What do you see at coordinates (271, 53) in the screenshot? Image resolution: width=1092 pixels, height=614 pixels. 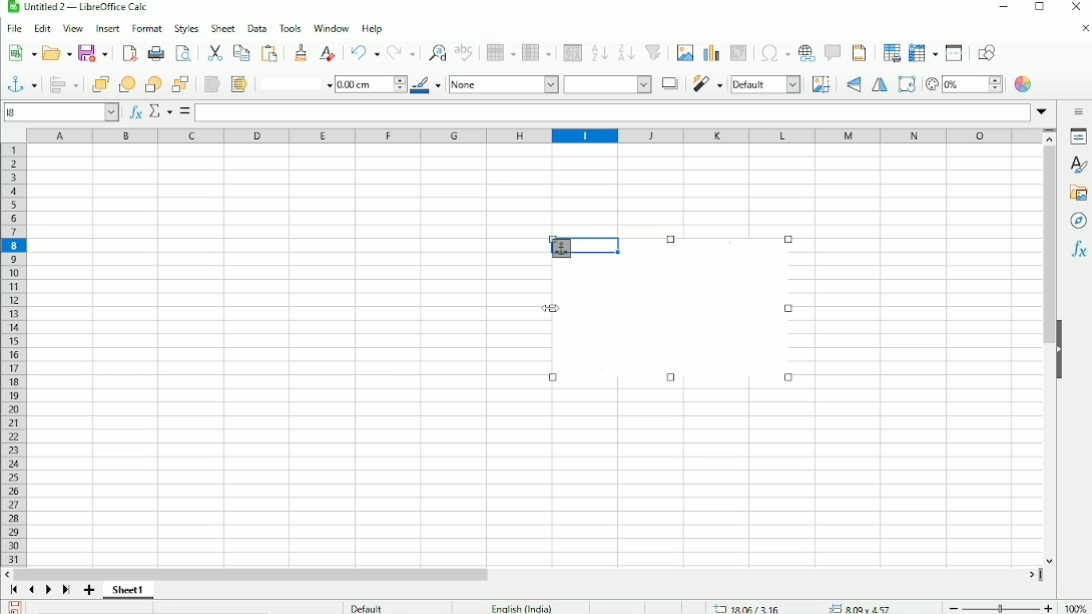 I see `Paste` at bounding box center [271, 53].